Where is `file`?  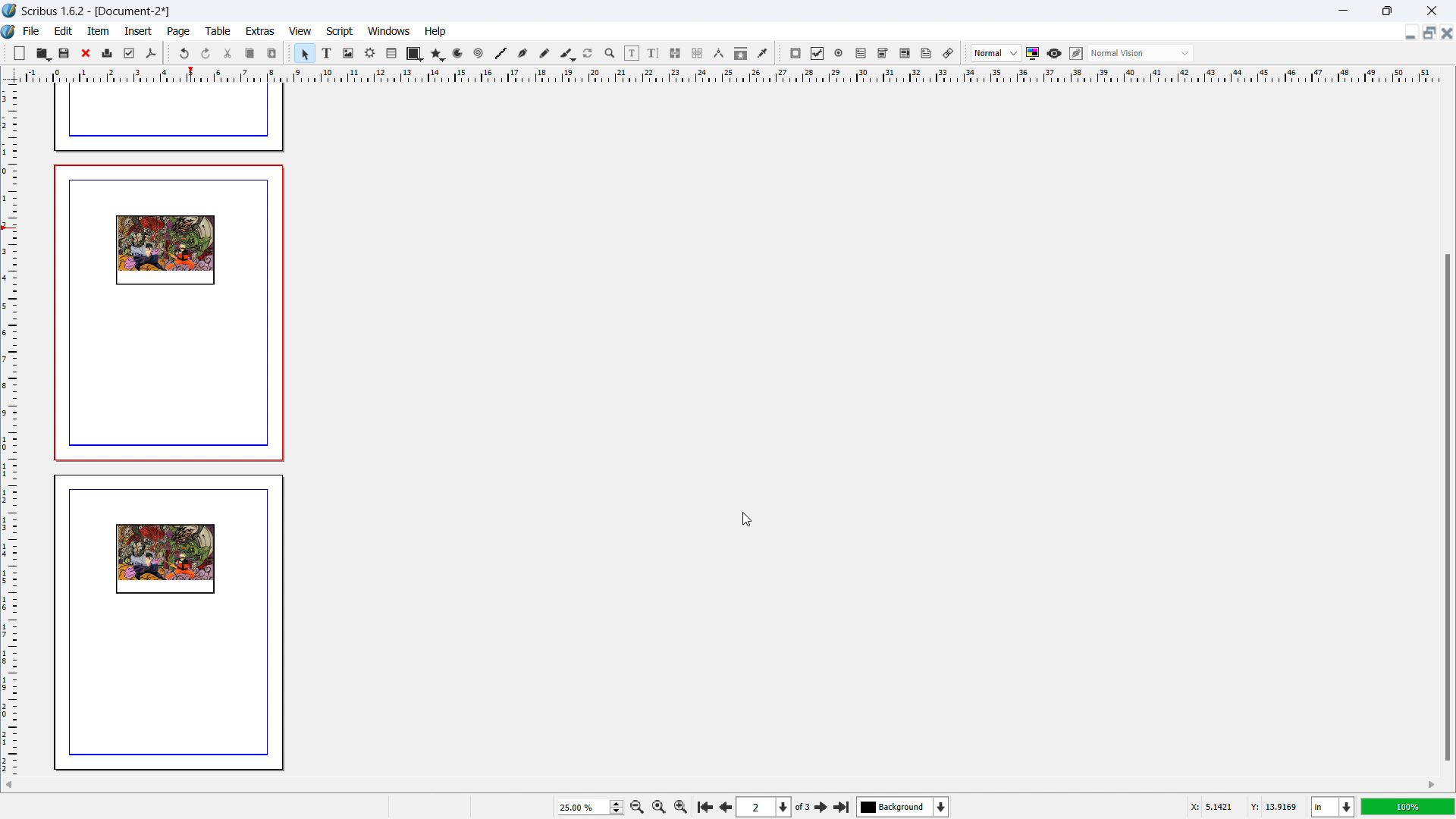
file is located at coordinates (30, 31).